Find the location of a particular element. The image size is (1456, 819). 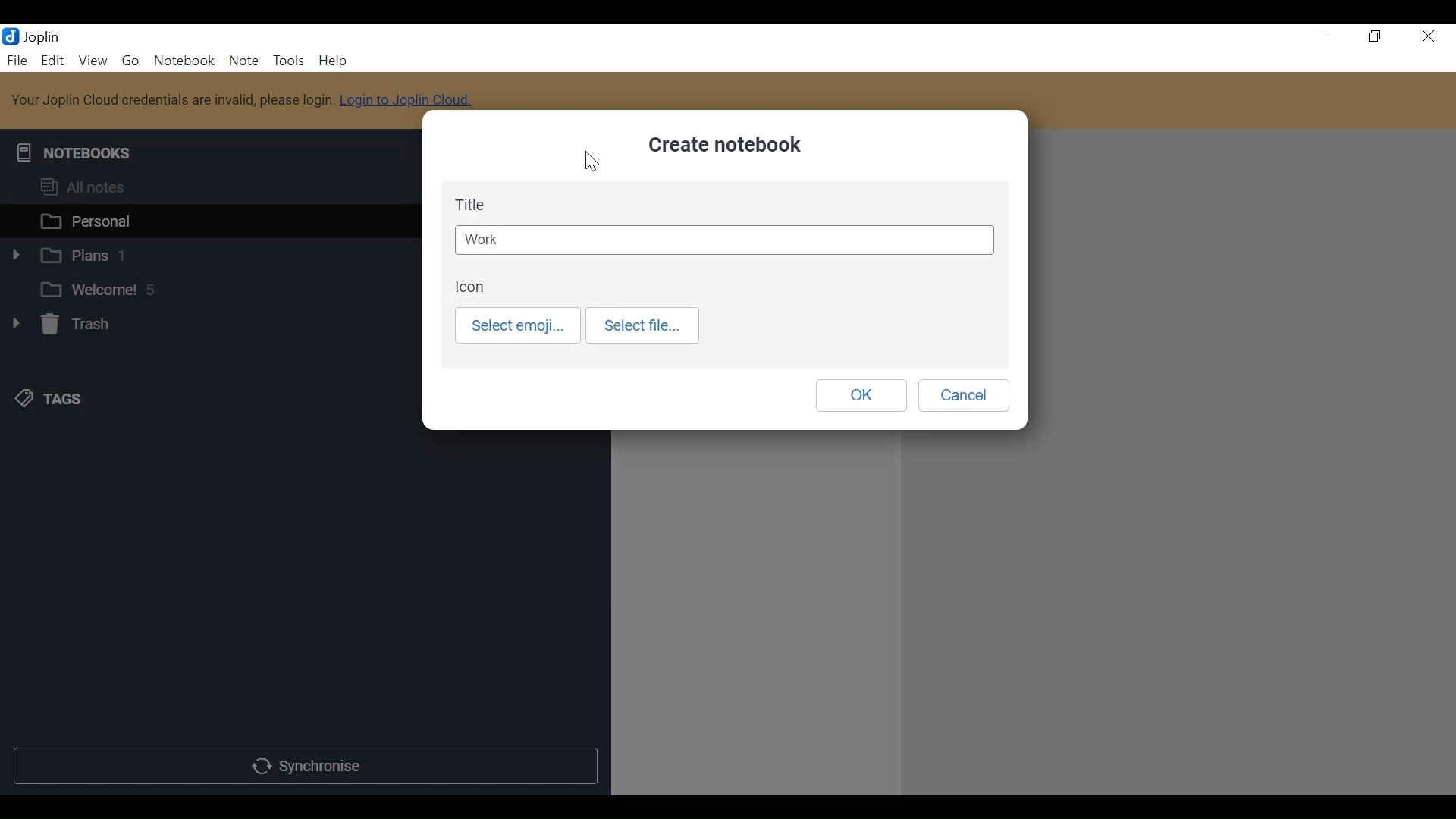

Create Notebook is located at coordinates (724, 147).